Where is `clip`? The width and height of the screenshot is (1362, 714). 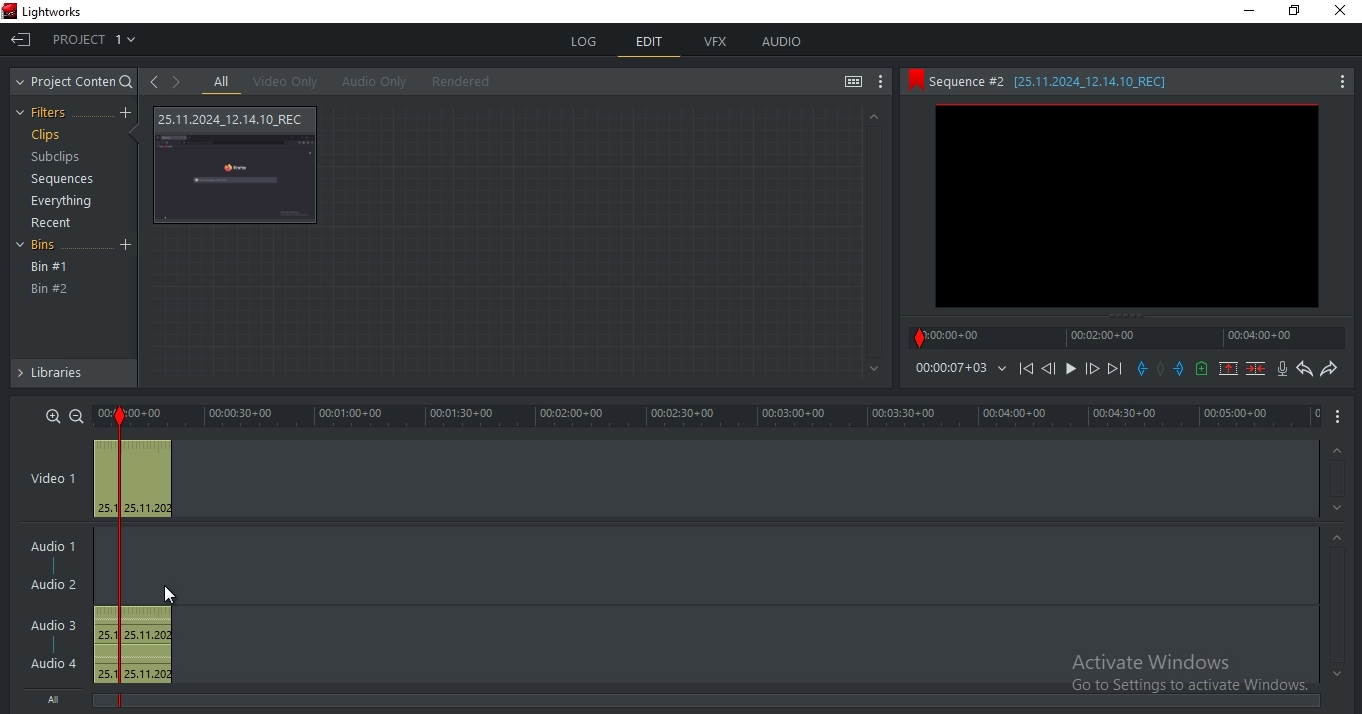 clip is located at coordinates (1126, 206).